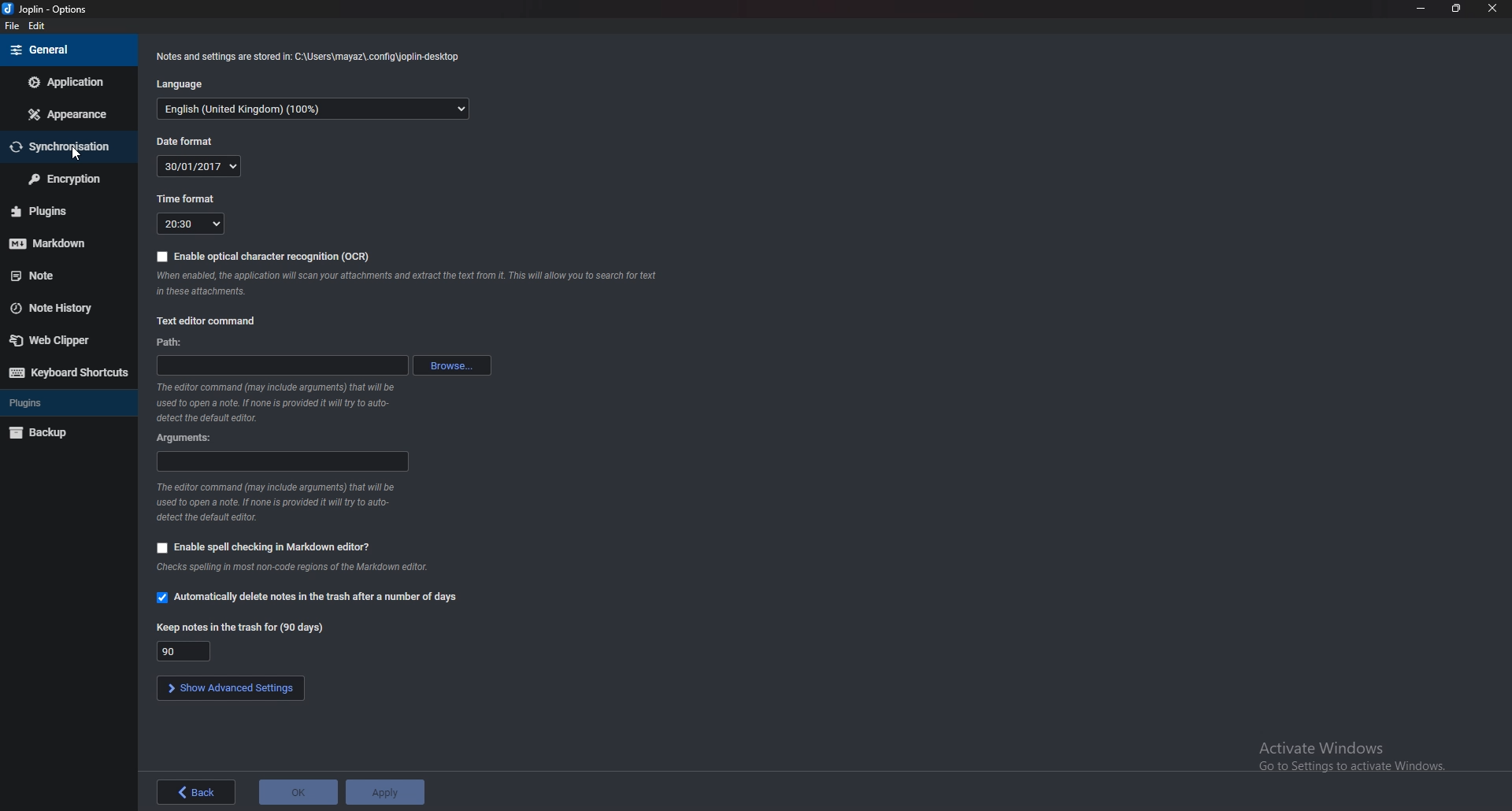 The image size is (1512, 811). What do you see at coordinates (61, 405) in the screenshot?
I see `plugins` at bounding box center [61, 405].